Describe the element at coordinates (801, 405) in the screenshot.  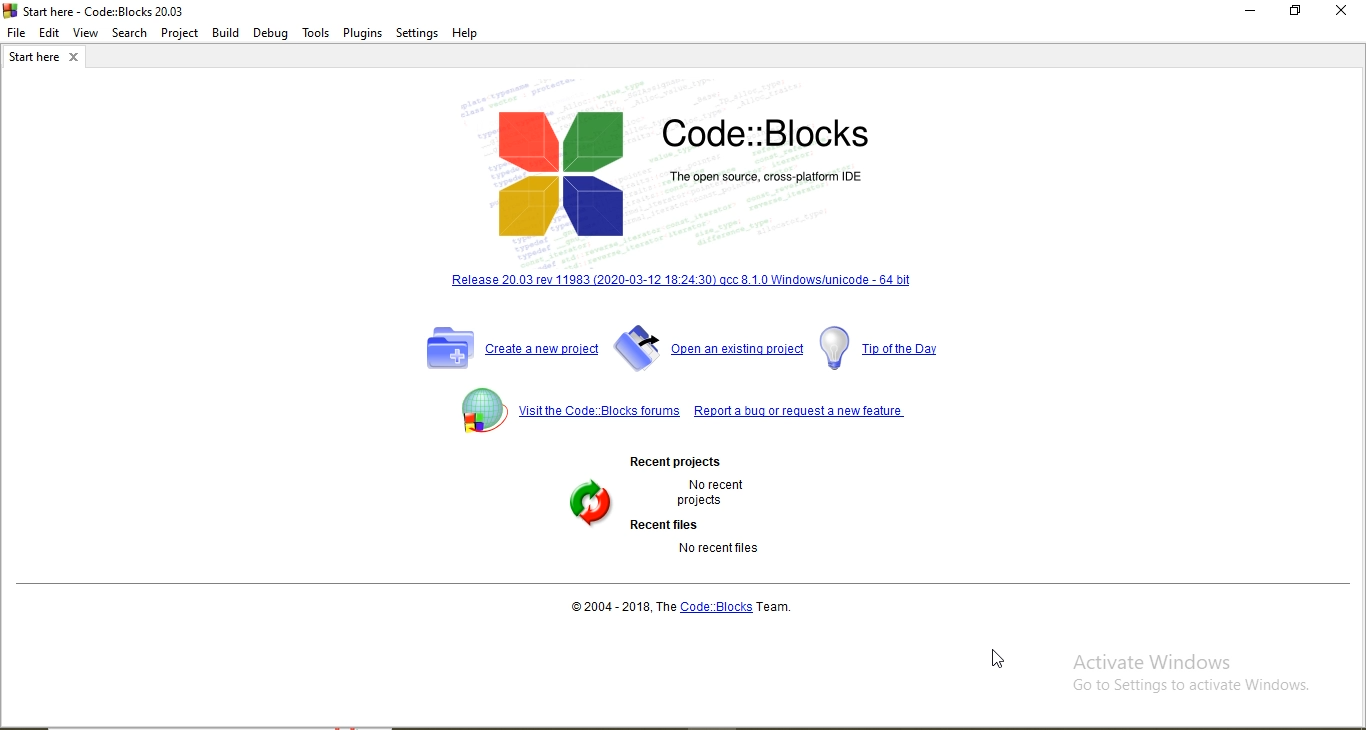
I see `Report a bug or request a new feature` at that location.